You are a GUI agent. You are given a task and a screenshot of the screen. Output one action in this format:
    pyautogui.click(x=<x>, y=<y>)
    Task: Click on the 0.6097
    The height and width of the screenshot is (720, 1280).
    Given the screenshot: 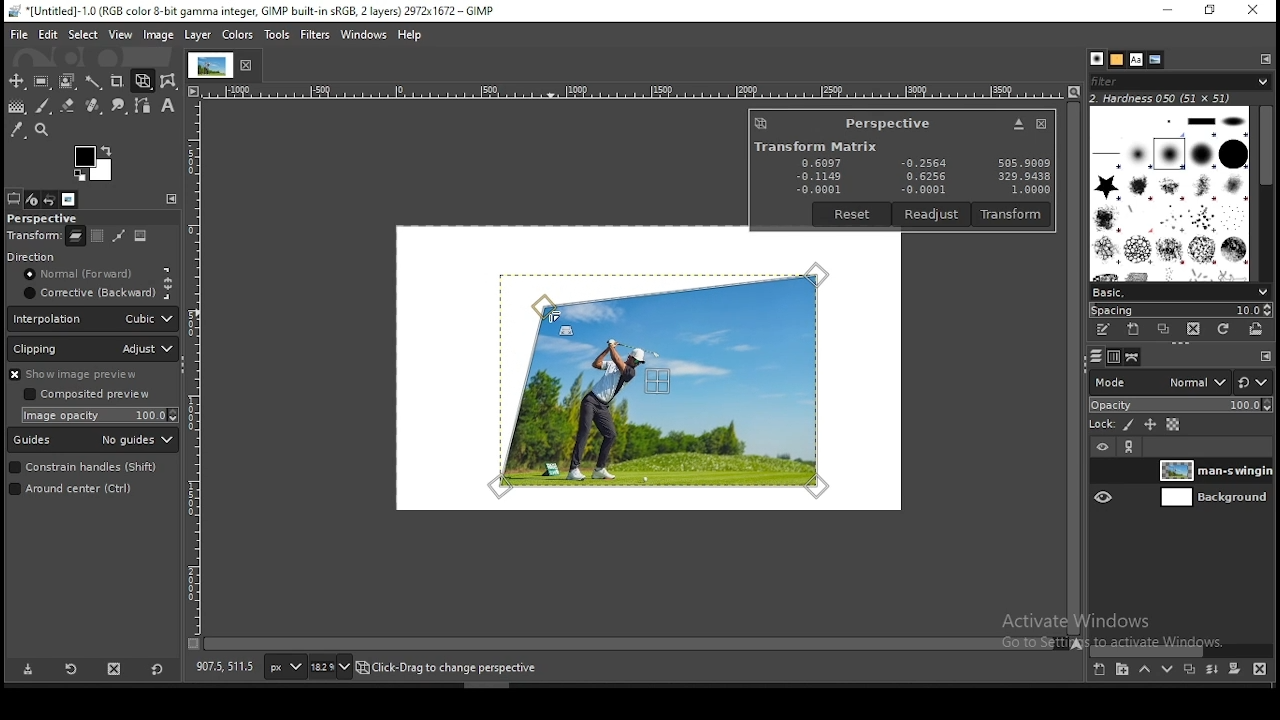 What is the action you would take?
    pyautogui.click(x=823, y=161)
    